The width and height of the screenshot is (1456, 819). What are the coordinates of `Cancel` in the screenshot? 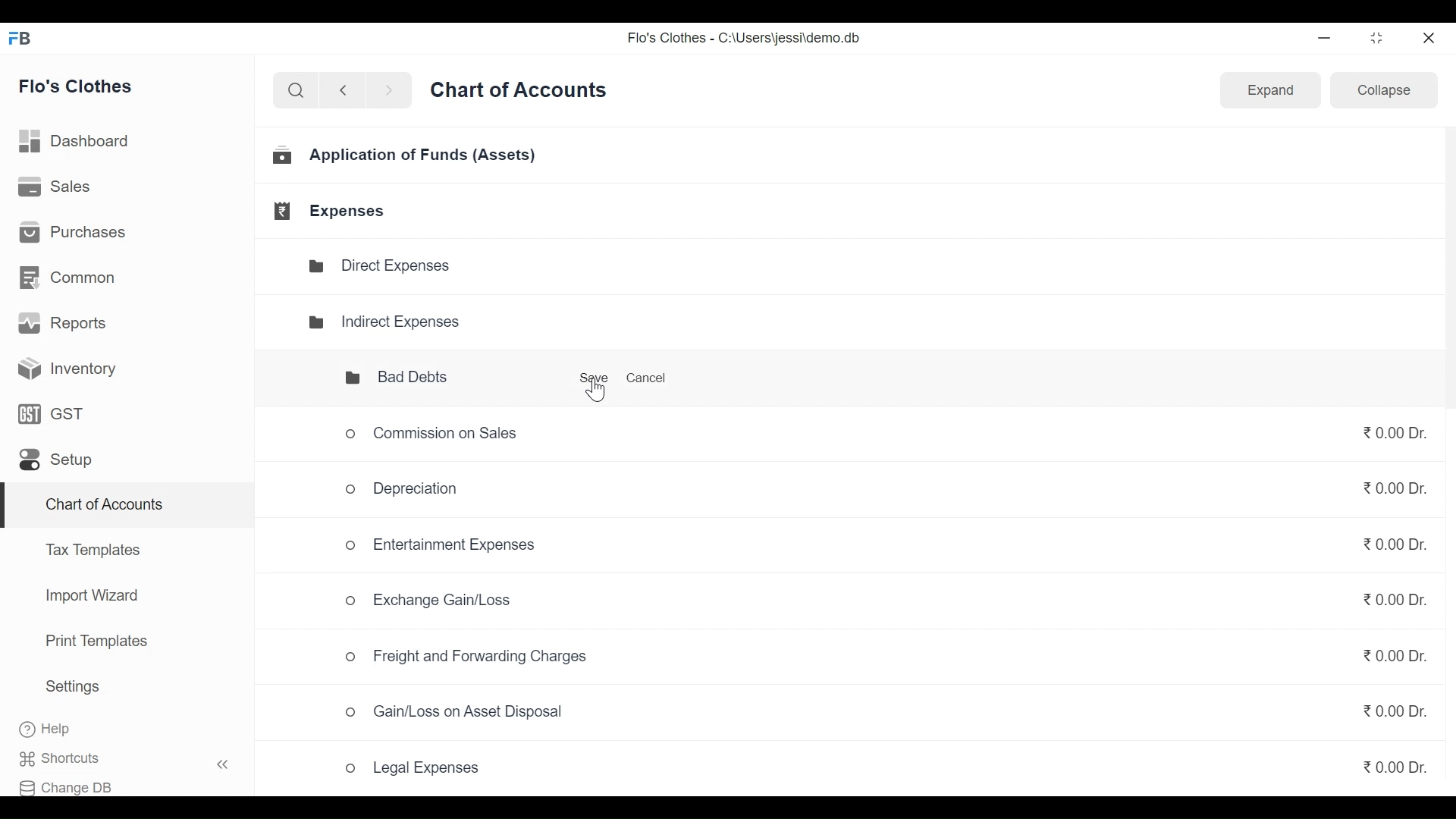 It's located at (656, 380).